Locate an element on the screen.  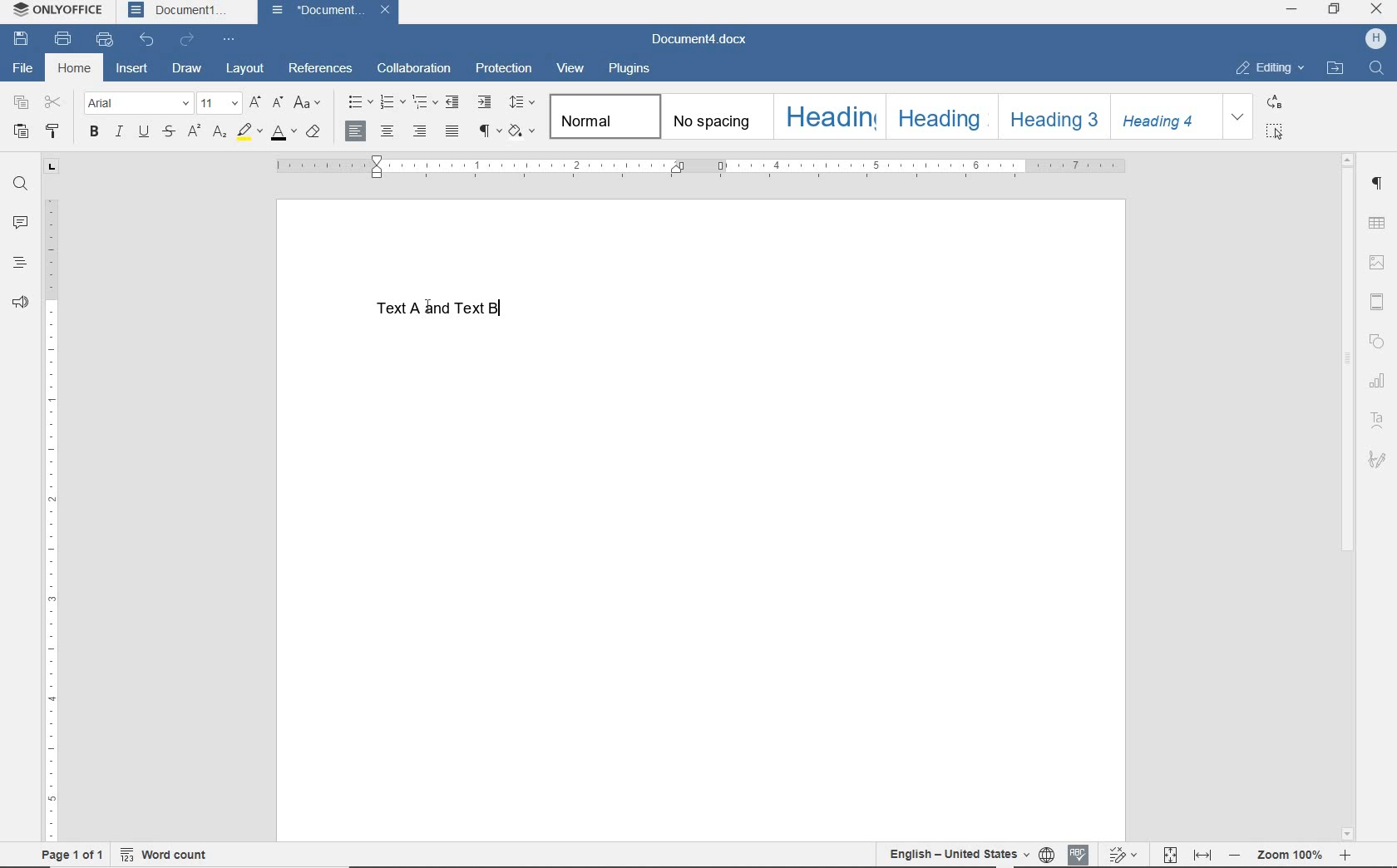
REDO is located at coordinates (190, 40).